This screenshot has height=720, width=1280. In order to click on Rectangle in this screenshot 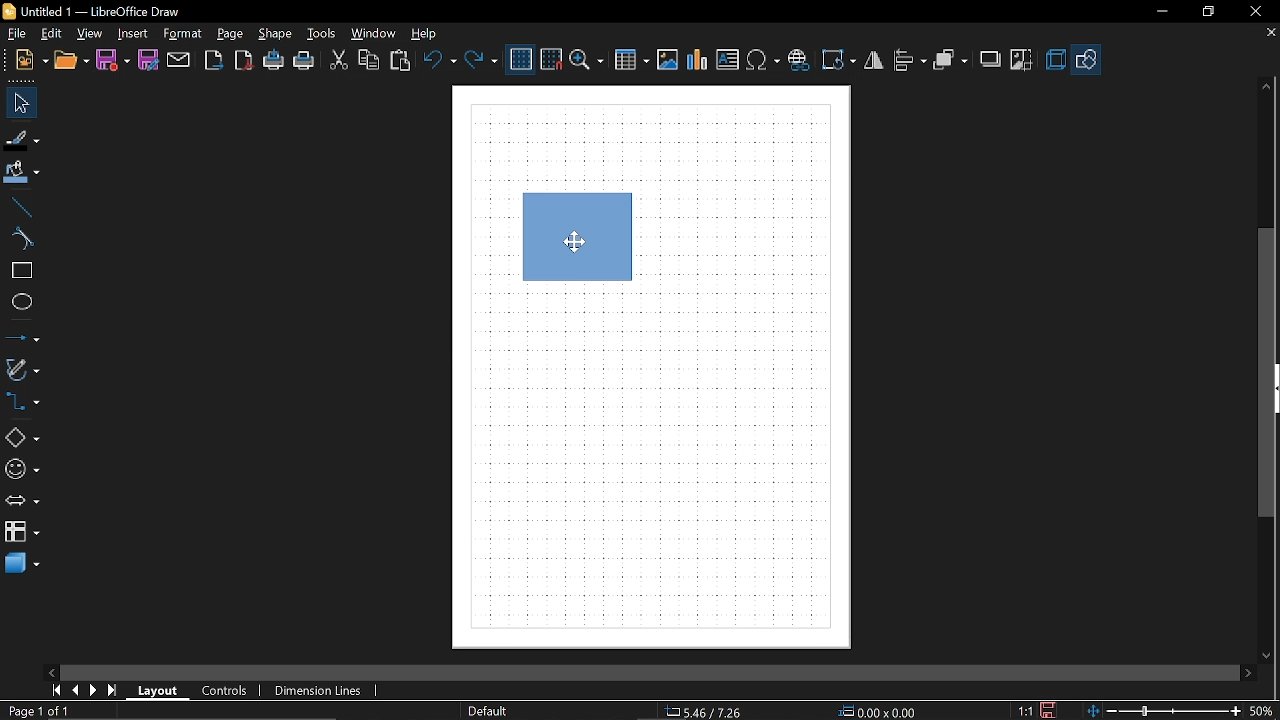, I will do `click(18, 271)`.